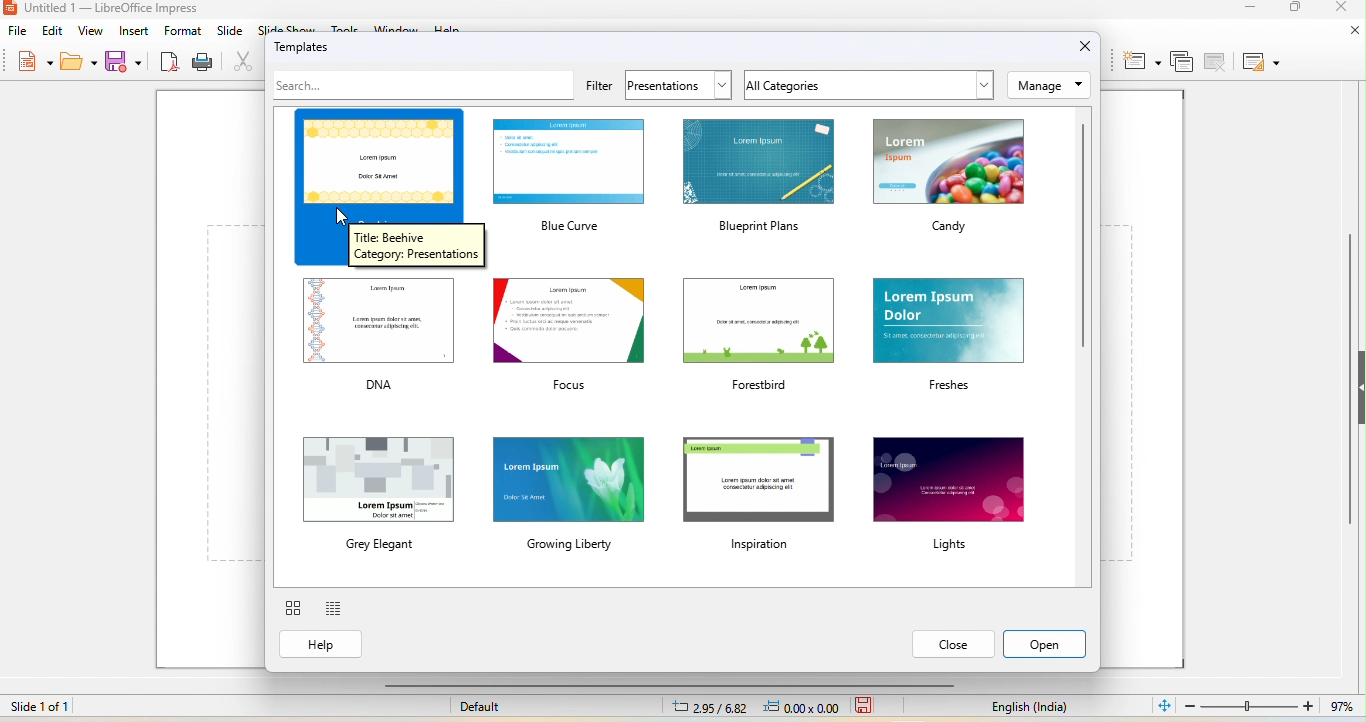 The width and height of the screenshot is (1366, 722). I want to click on blue curve, so click(569, 179).